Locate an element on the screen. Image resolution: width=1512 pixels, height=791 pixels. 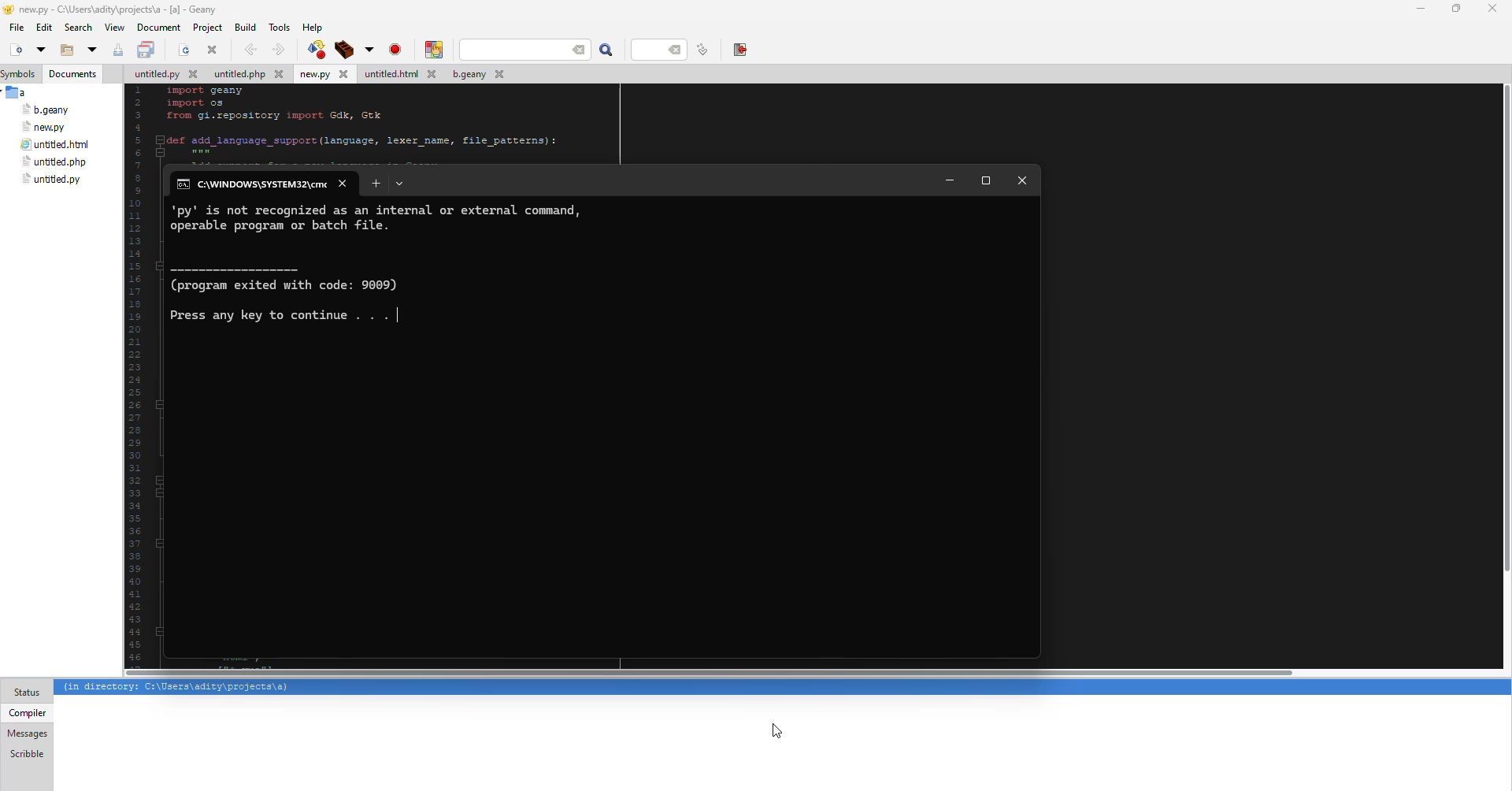
info is located at coordinates (380, 219).